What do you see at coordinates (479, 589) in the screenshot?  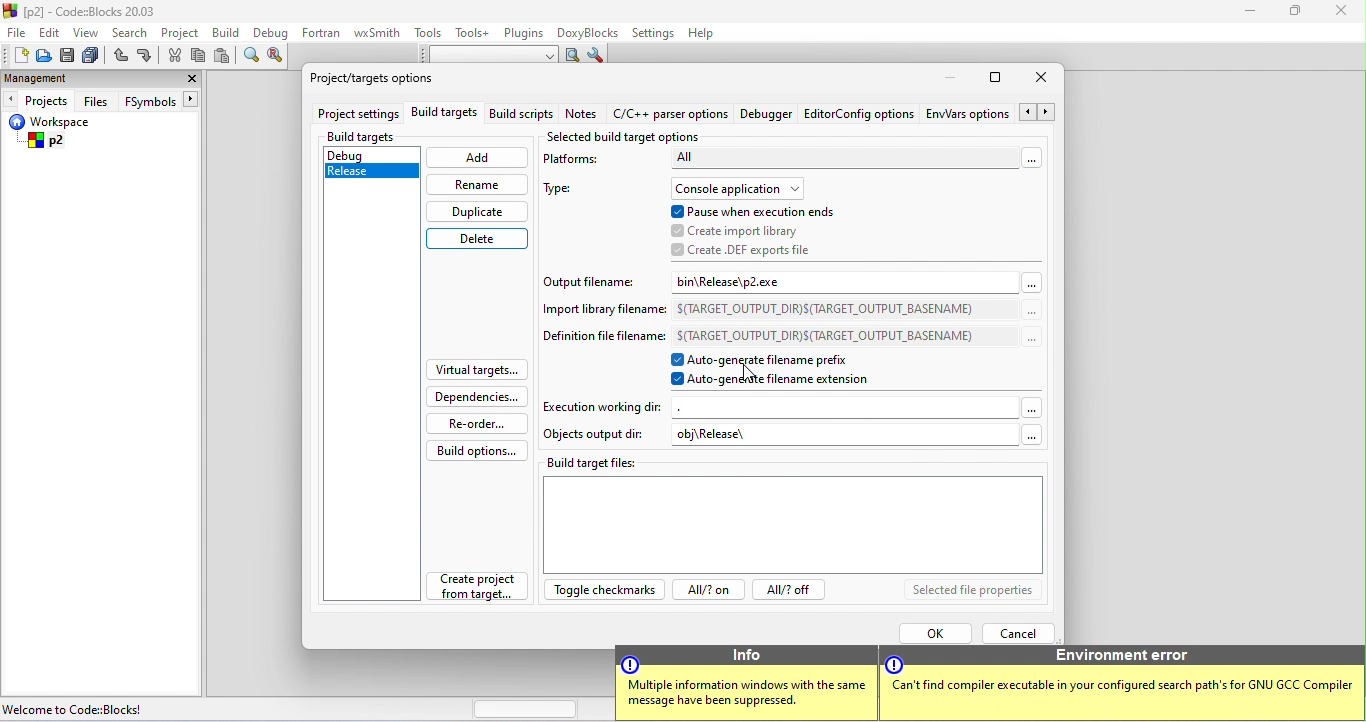 I see `create project from target` at bounding box center [479, 589].